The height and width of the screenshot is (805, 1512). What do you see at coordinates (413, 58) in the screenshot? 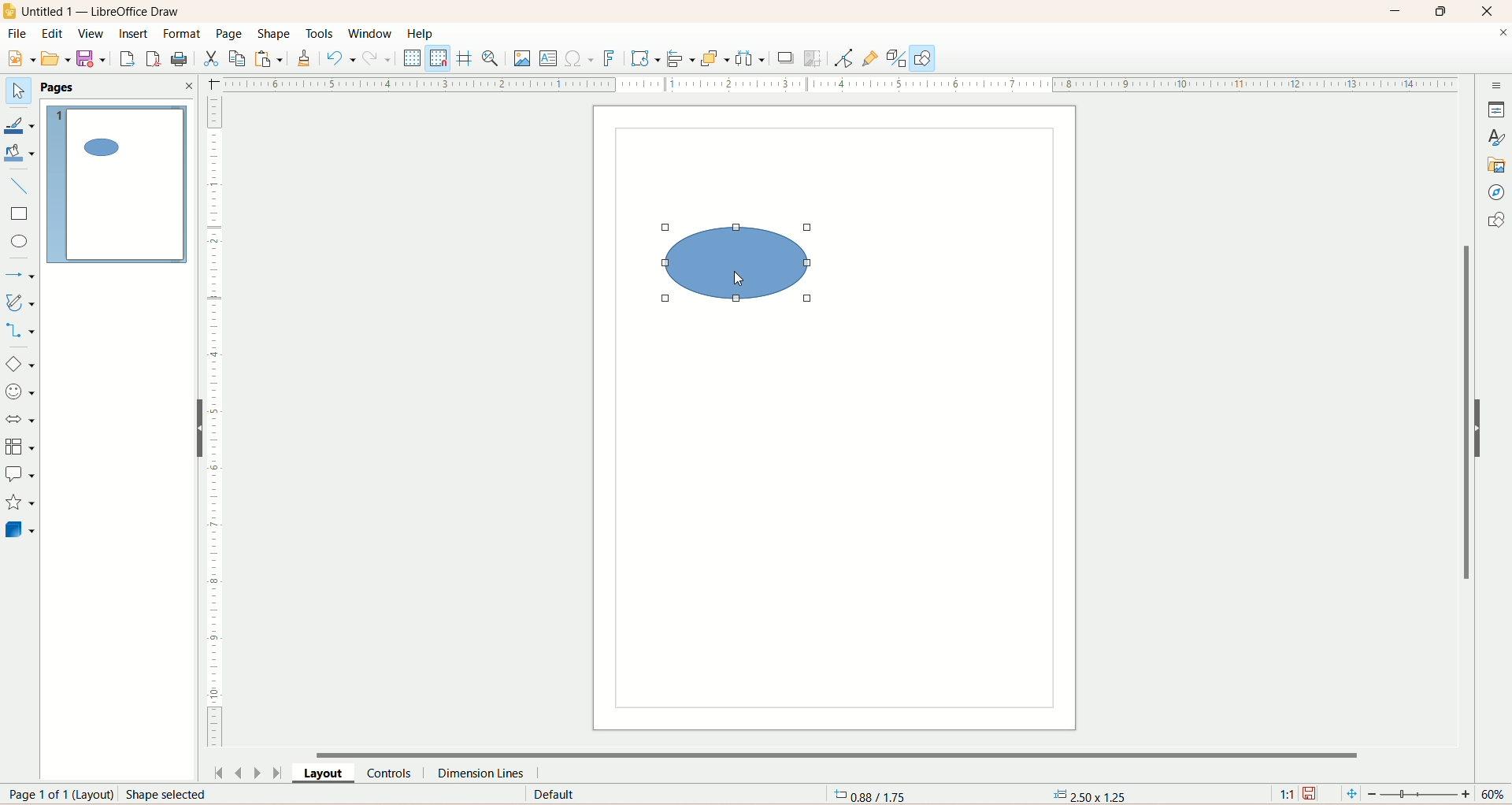
I see `display grid` at bounding box center [413, 58].